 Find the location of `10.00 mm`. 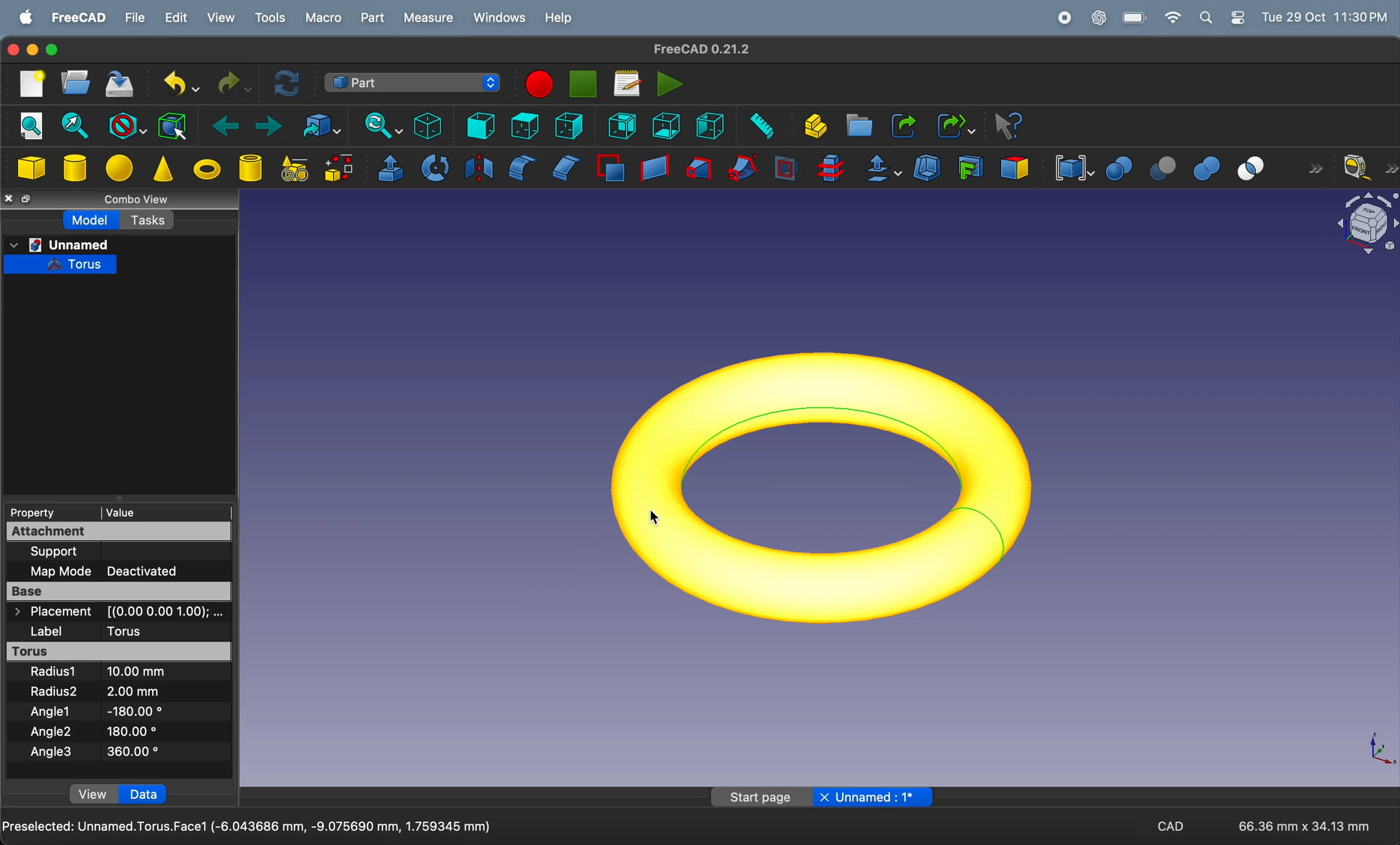

10.00 mm is located at coordinates (134, 671).